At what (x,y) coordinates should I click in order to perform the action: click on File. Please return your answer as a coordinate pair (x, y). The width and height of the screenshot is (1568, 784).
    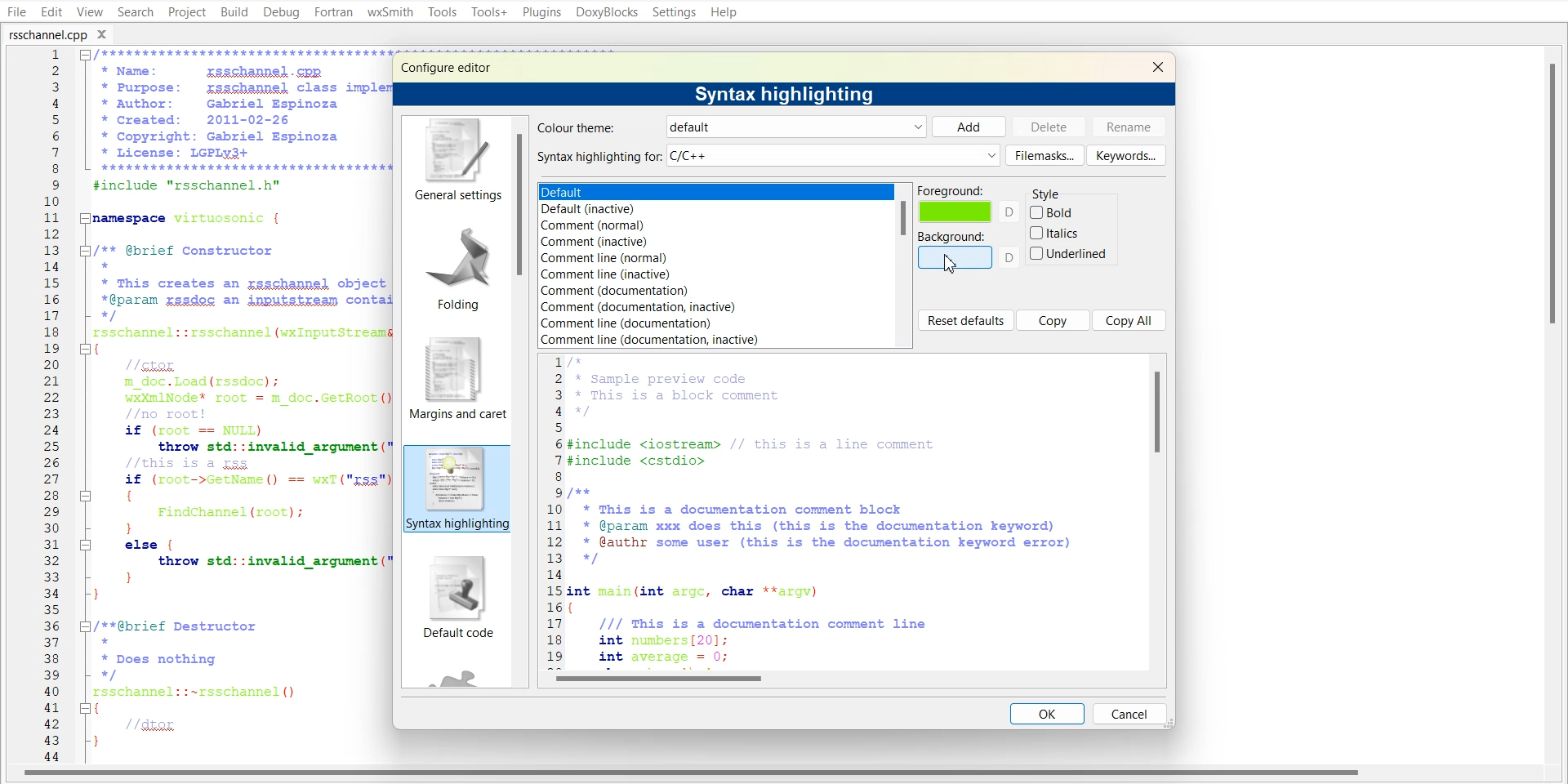
    Looking at the image, I should click on (15, 11).